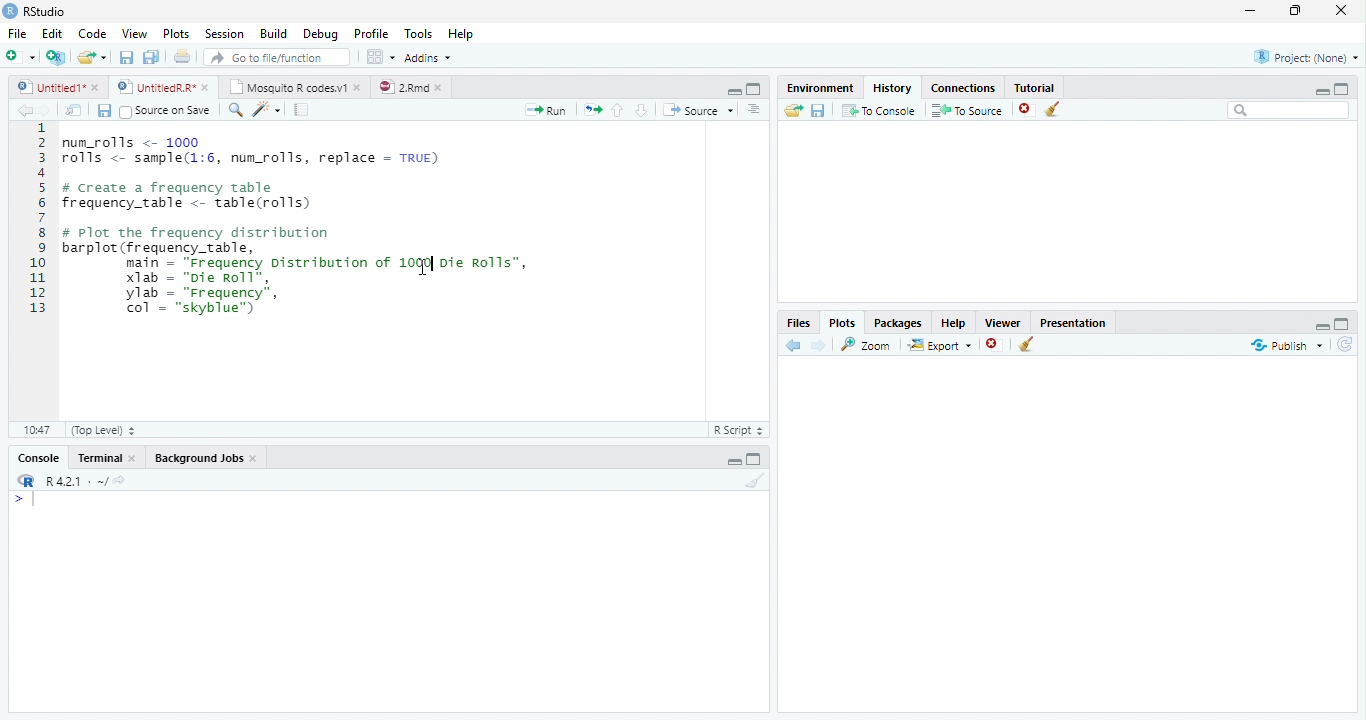  Describe the element at coordinates (20, 56) in the screenshot. I see `New File` at that location.